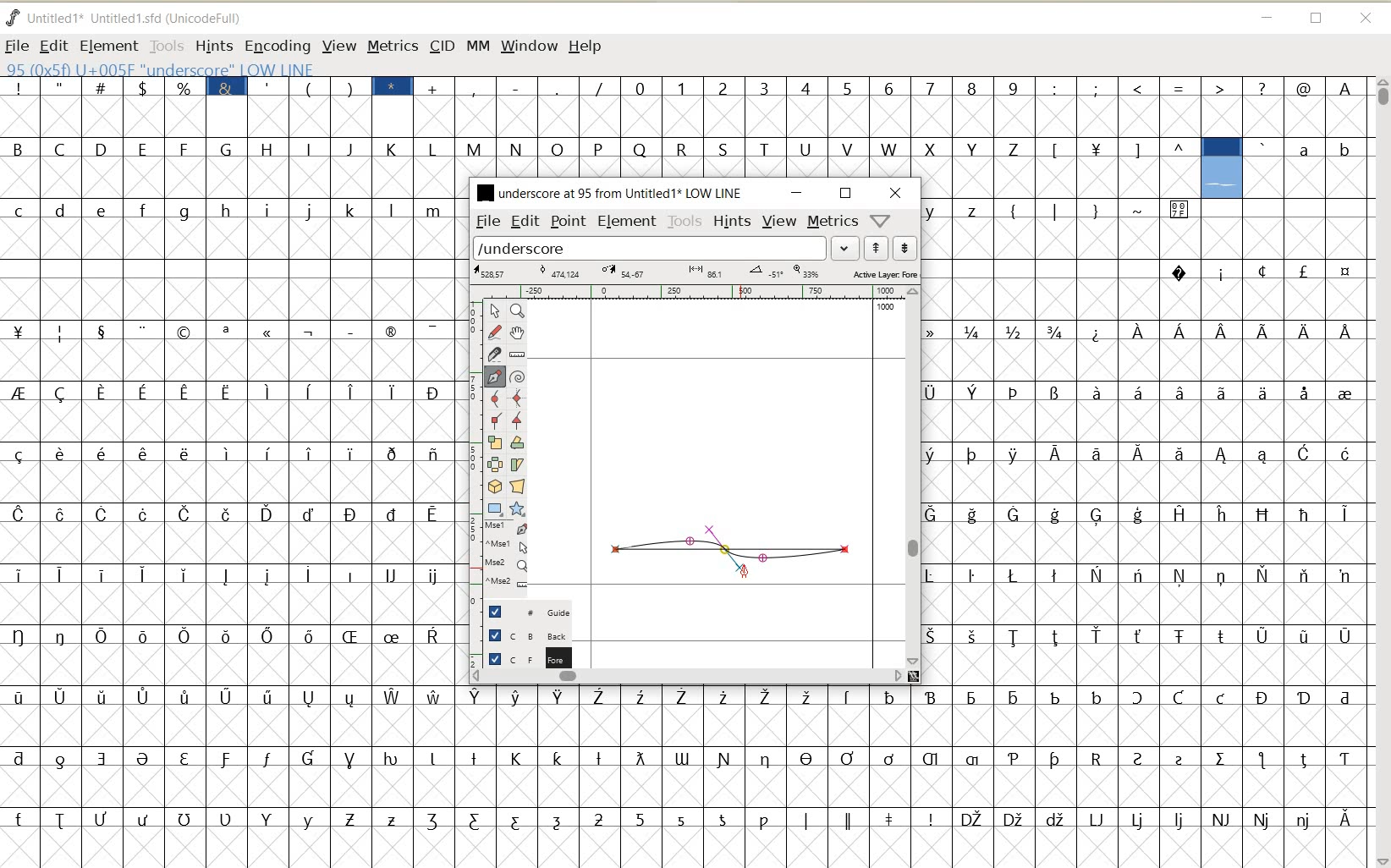 The height and width of the screenshot is (868, 1391). What do you see at coordinates (846, 194) in the screenshot?
I see `RESTORE` at bounding box center [846, 194].